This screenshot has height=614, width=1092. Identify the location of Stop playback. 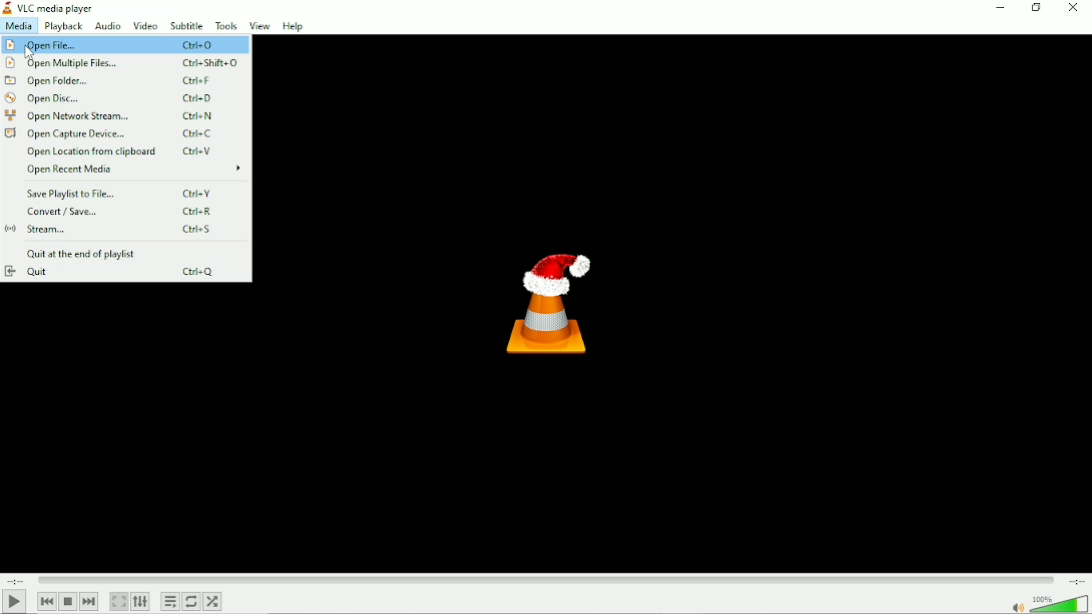
(67, 602).